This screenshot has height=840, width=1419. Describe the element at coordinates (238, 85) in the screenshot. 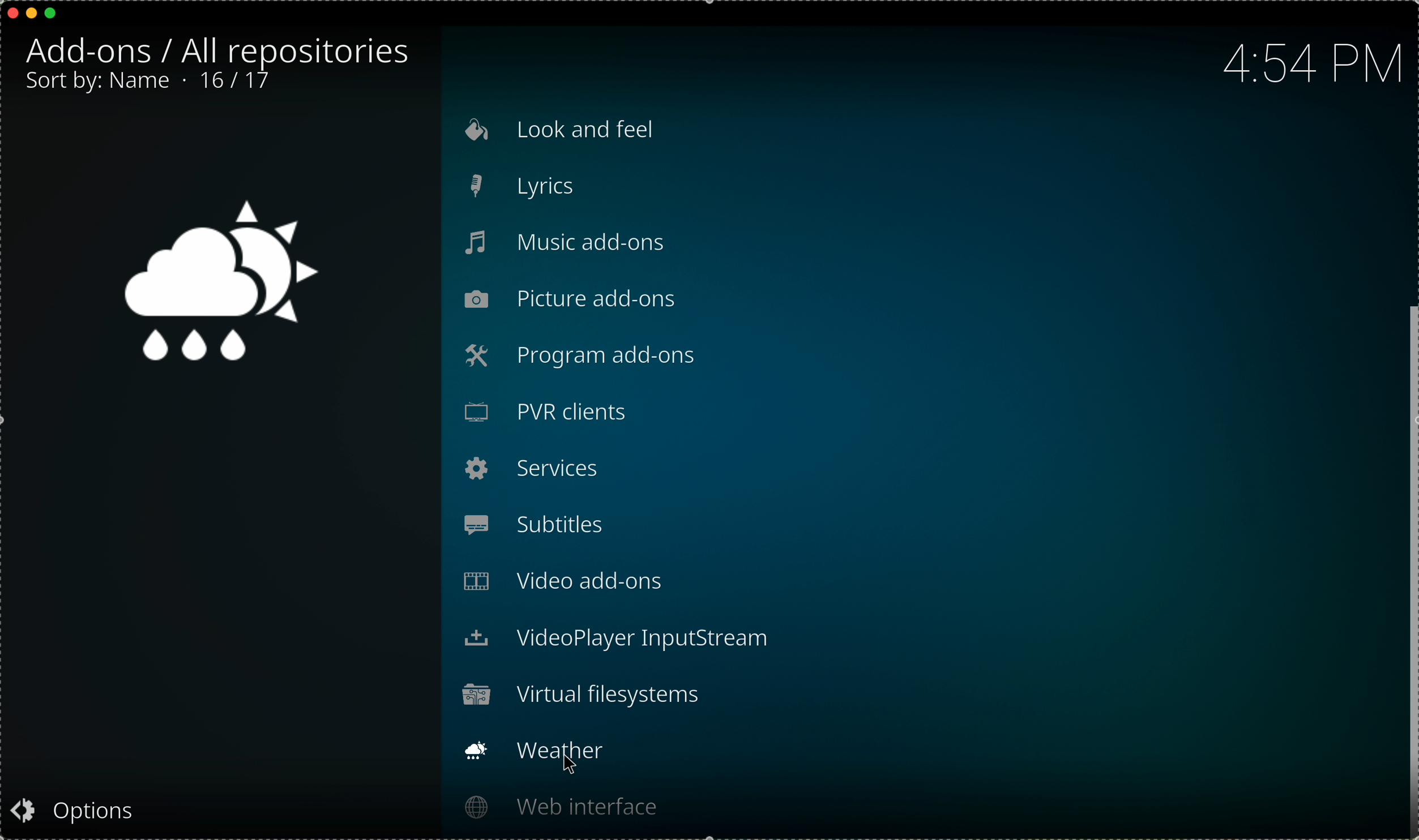

I see `10/17` at that location.